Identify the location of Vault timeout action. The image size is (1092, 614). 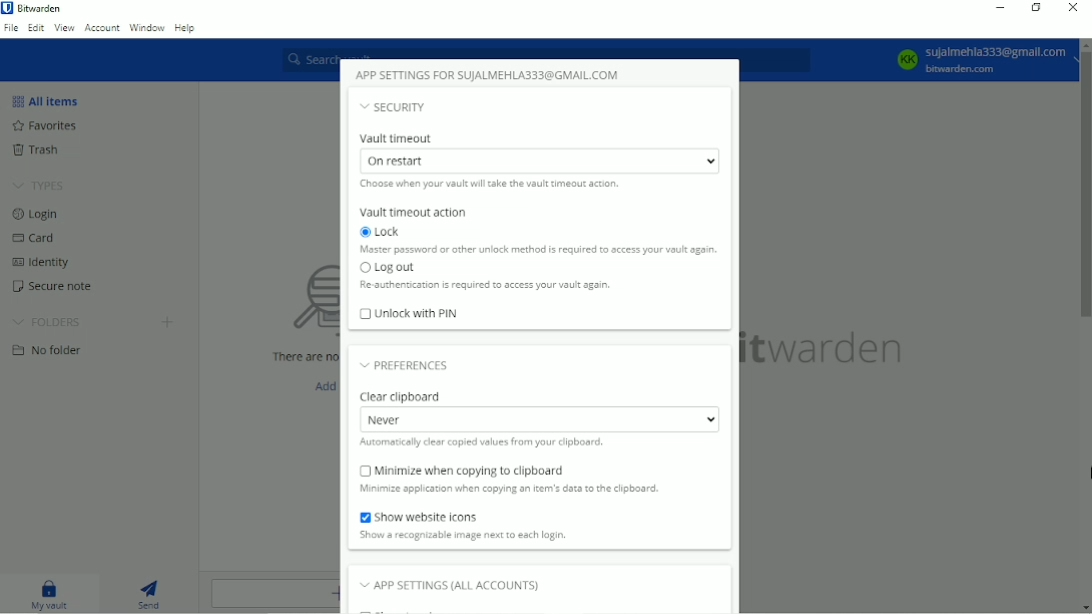
(412, 212).